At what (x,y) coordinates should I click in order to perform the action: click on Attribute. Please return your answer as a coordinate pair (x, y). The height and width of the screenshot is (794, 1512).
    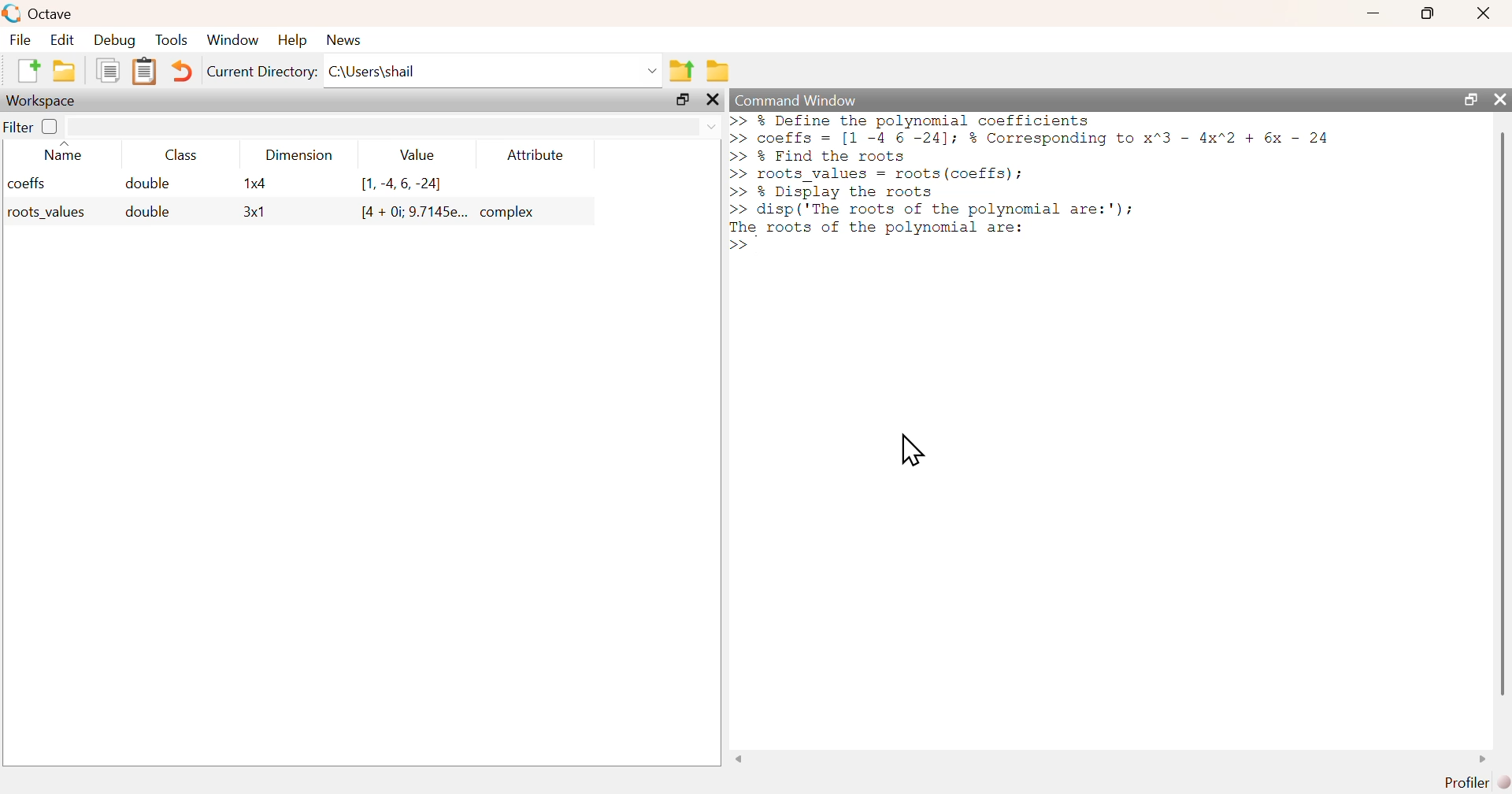
    Looking at the image, I should click on (536, 154).